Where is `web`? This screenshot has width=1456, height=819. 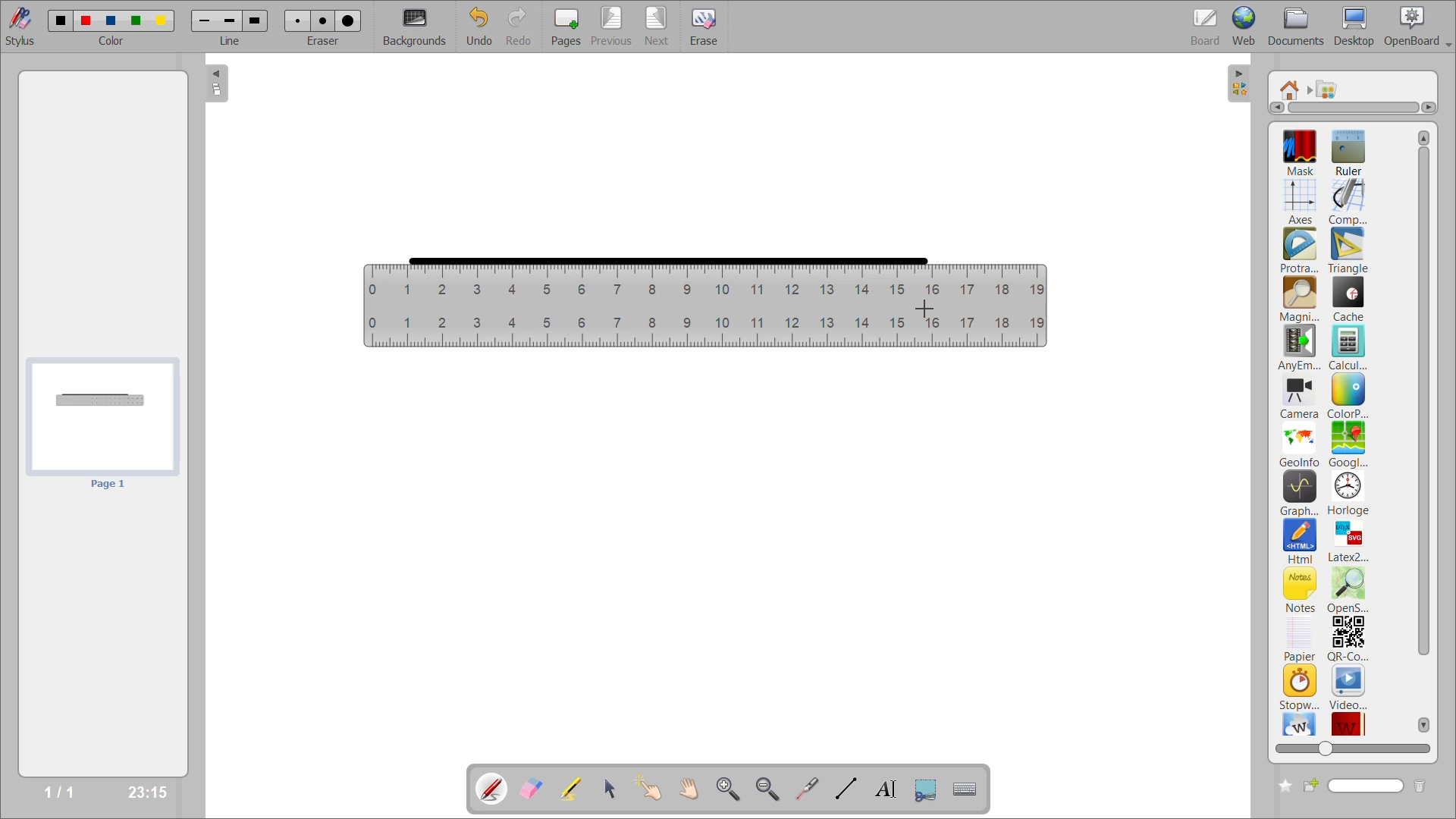
web is located at coordinates (1246, 25).